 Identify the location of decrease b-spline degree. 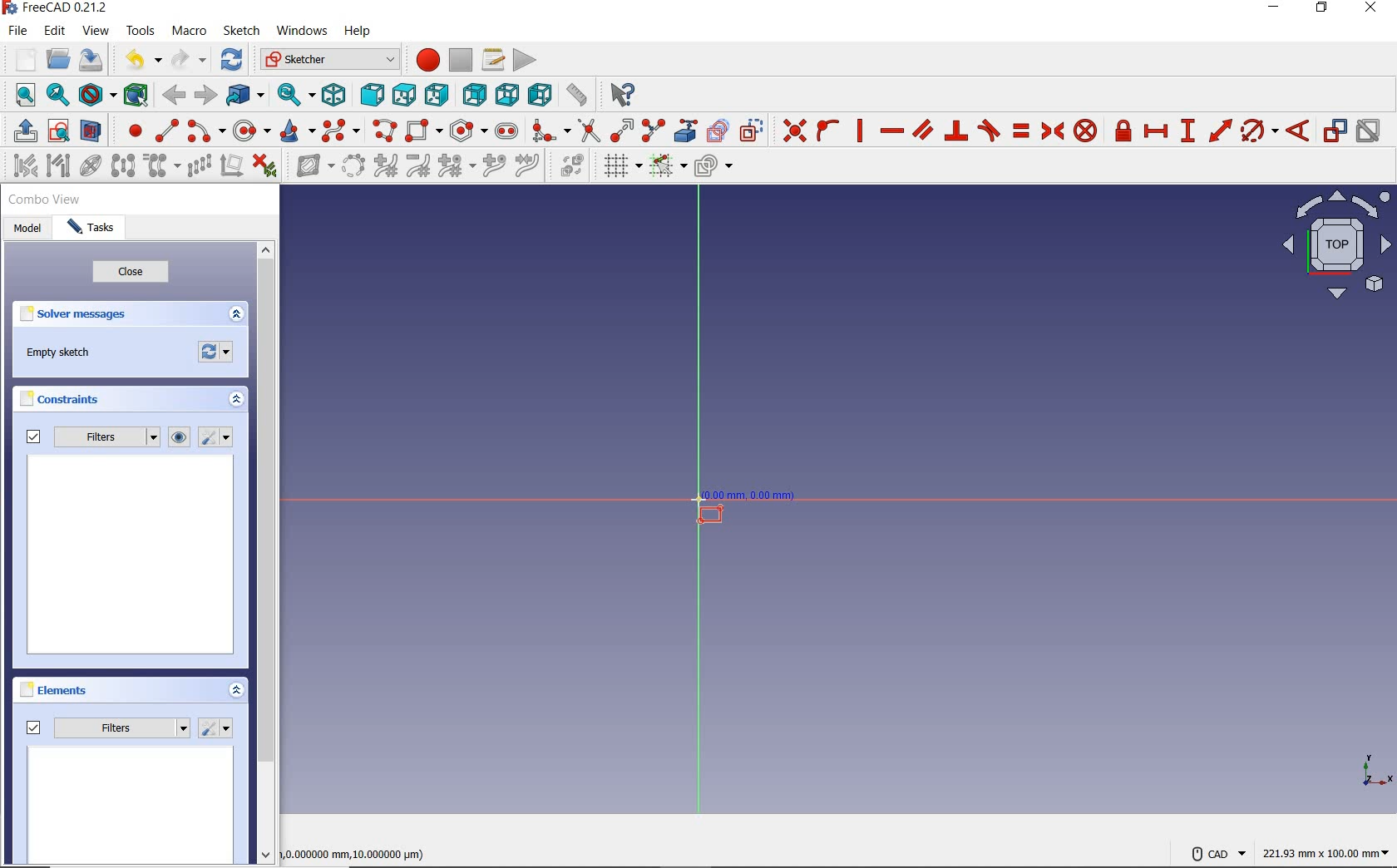
(420, 167).